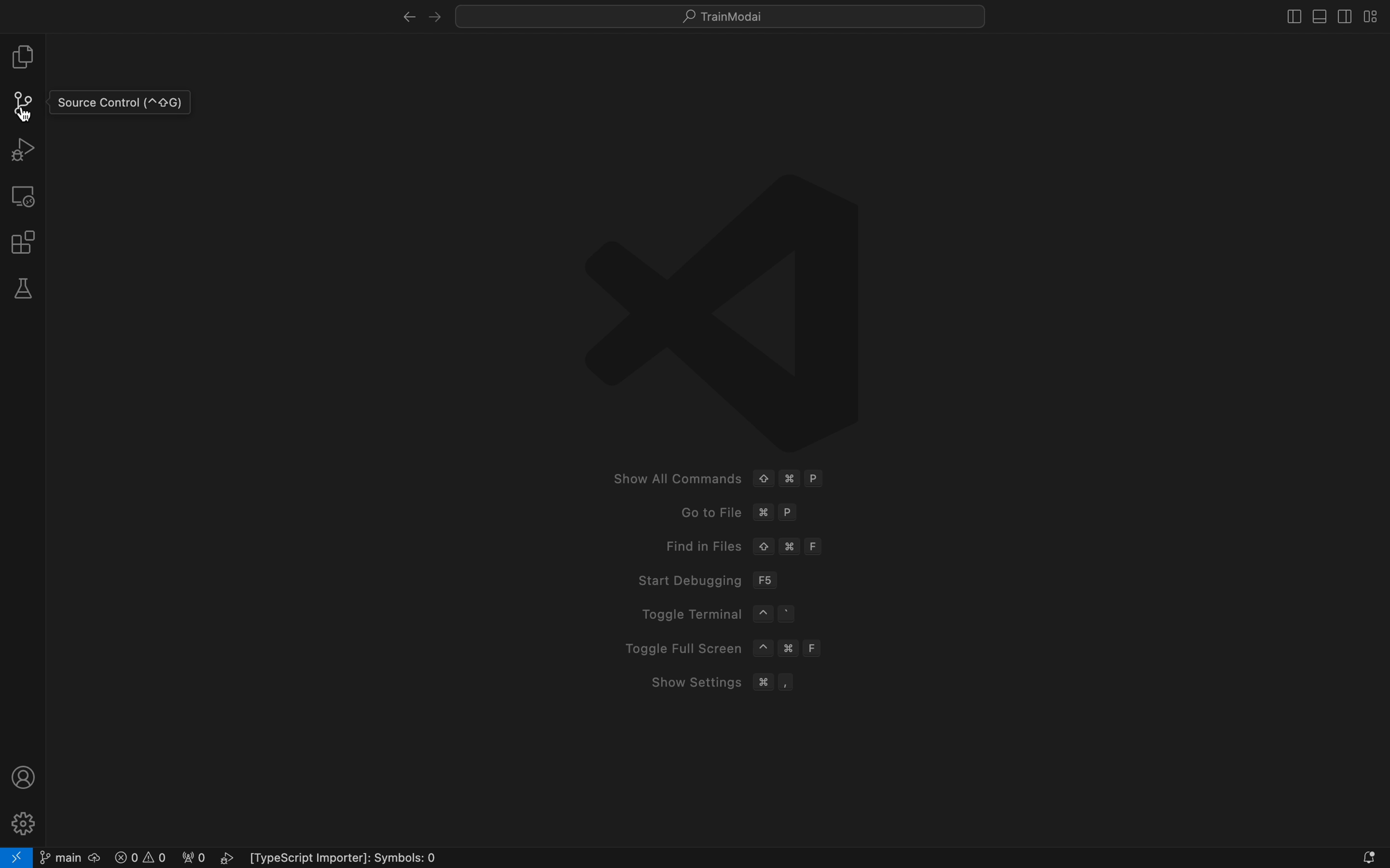 The width and height of the screenshot is (1390, 868). I want to click on git panel, so click(23, 103).